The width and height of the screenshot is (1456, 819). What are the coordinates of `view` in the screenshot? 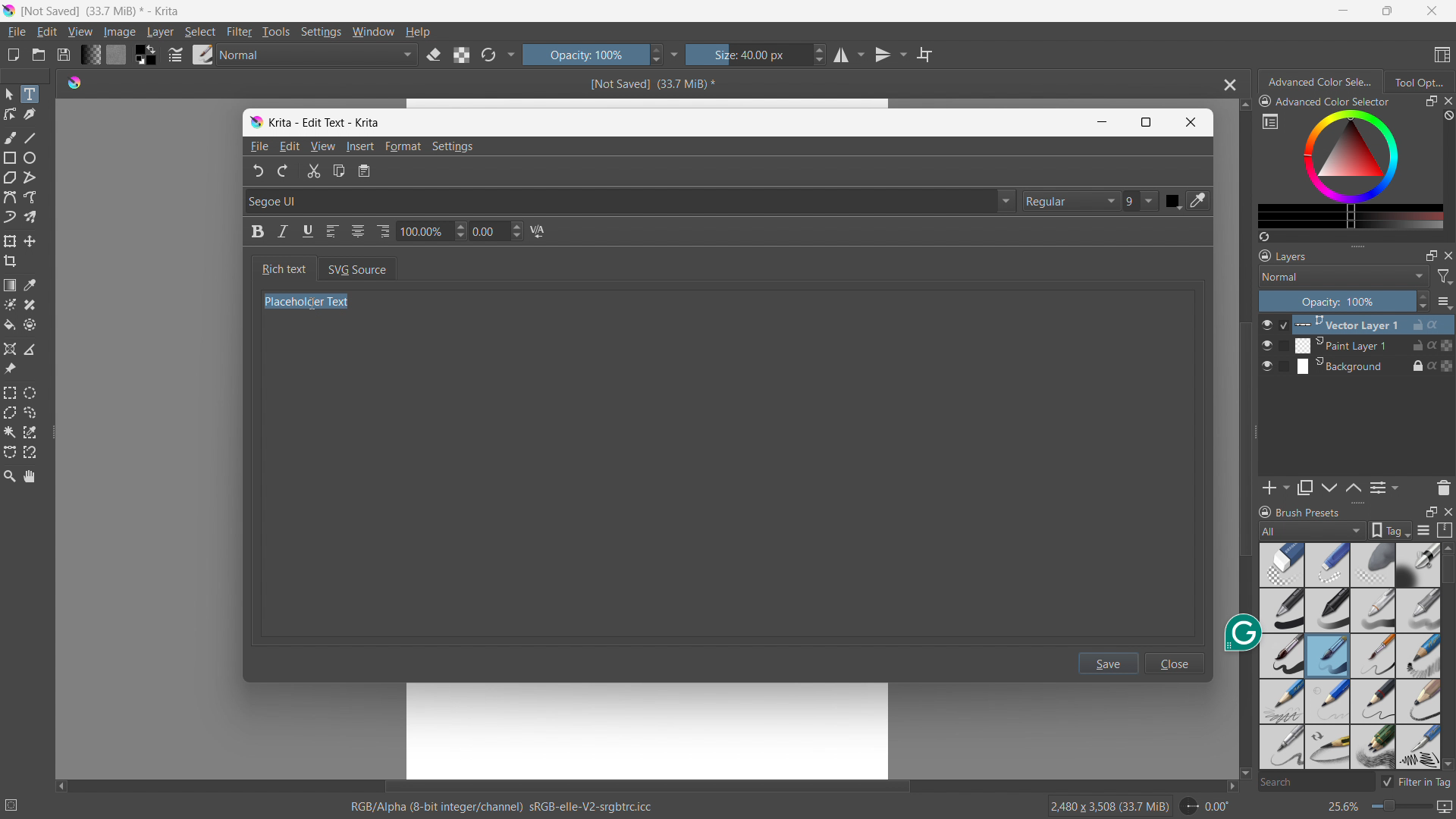 It's located at (80, 32).